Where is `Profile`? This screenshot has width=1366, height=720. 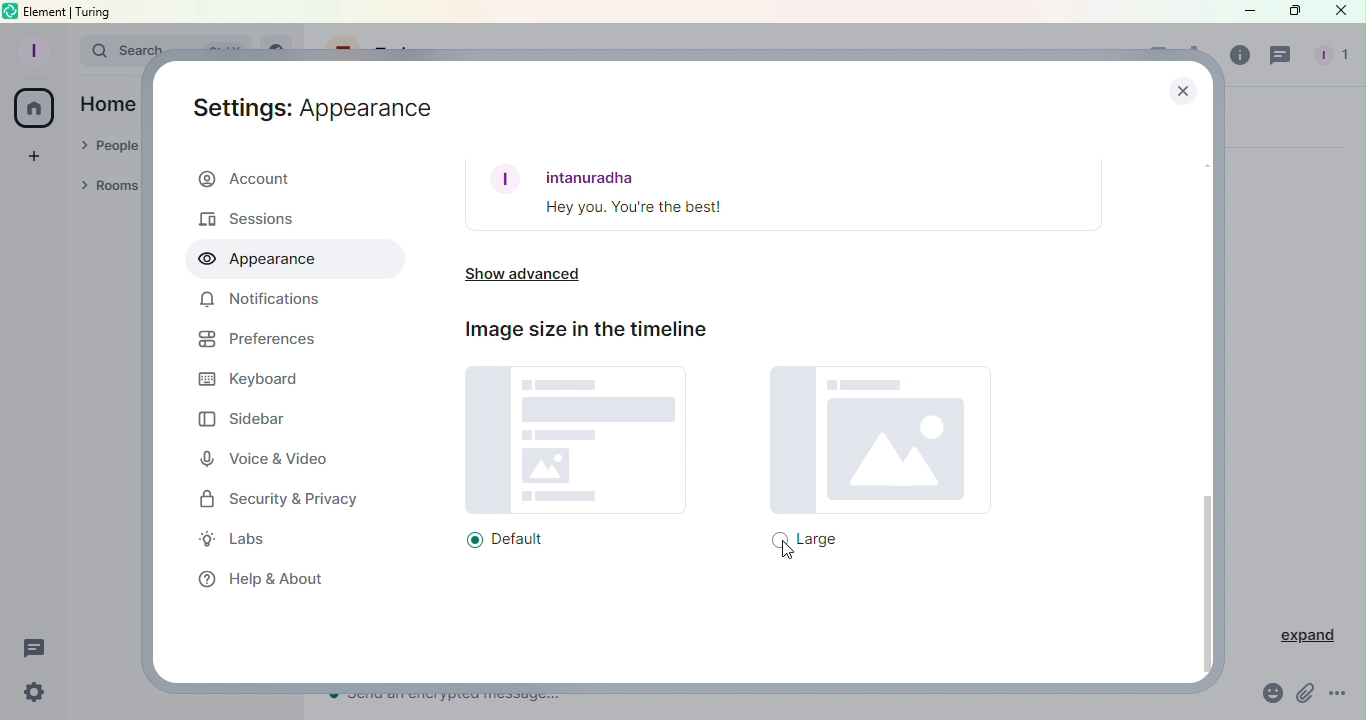 Profile is located at coordinates (31, 49).